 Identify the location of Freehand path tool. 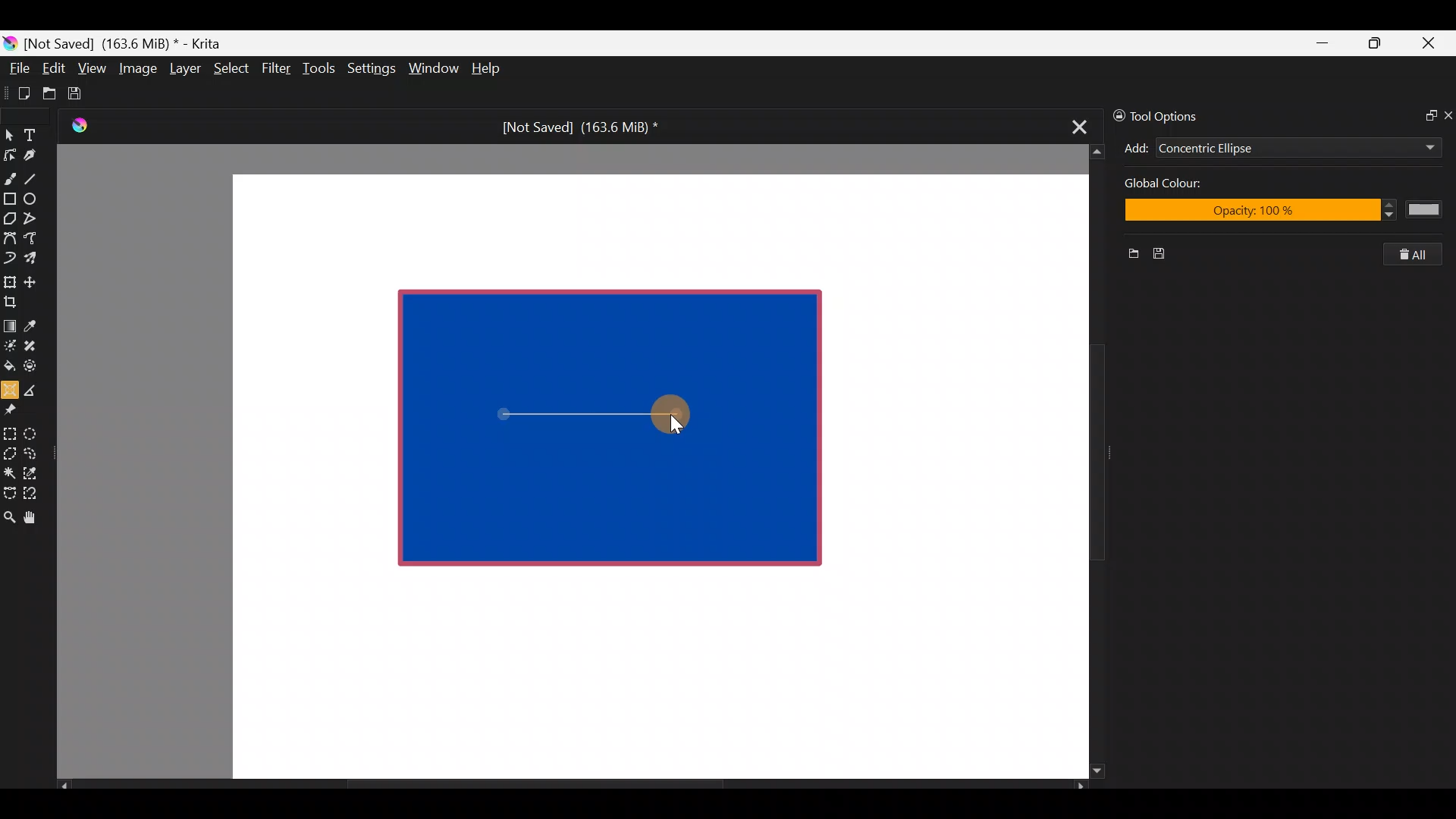
(38, 240).